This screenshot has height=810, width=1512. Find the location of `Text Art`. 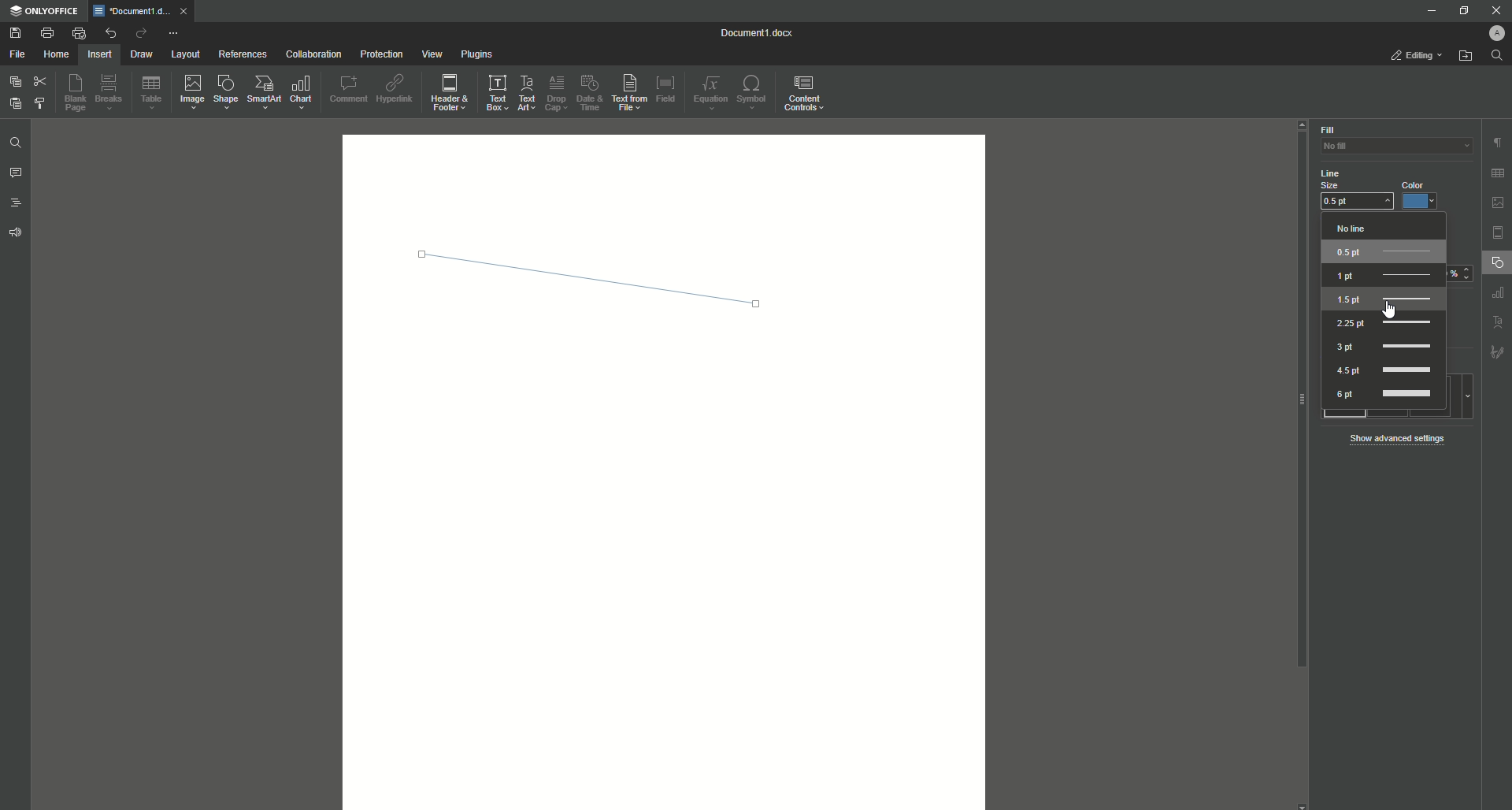

Text Art is located at coordinates (528, 92).